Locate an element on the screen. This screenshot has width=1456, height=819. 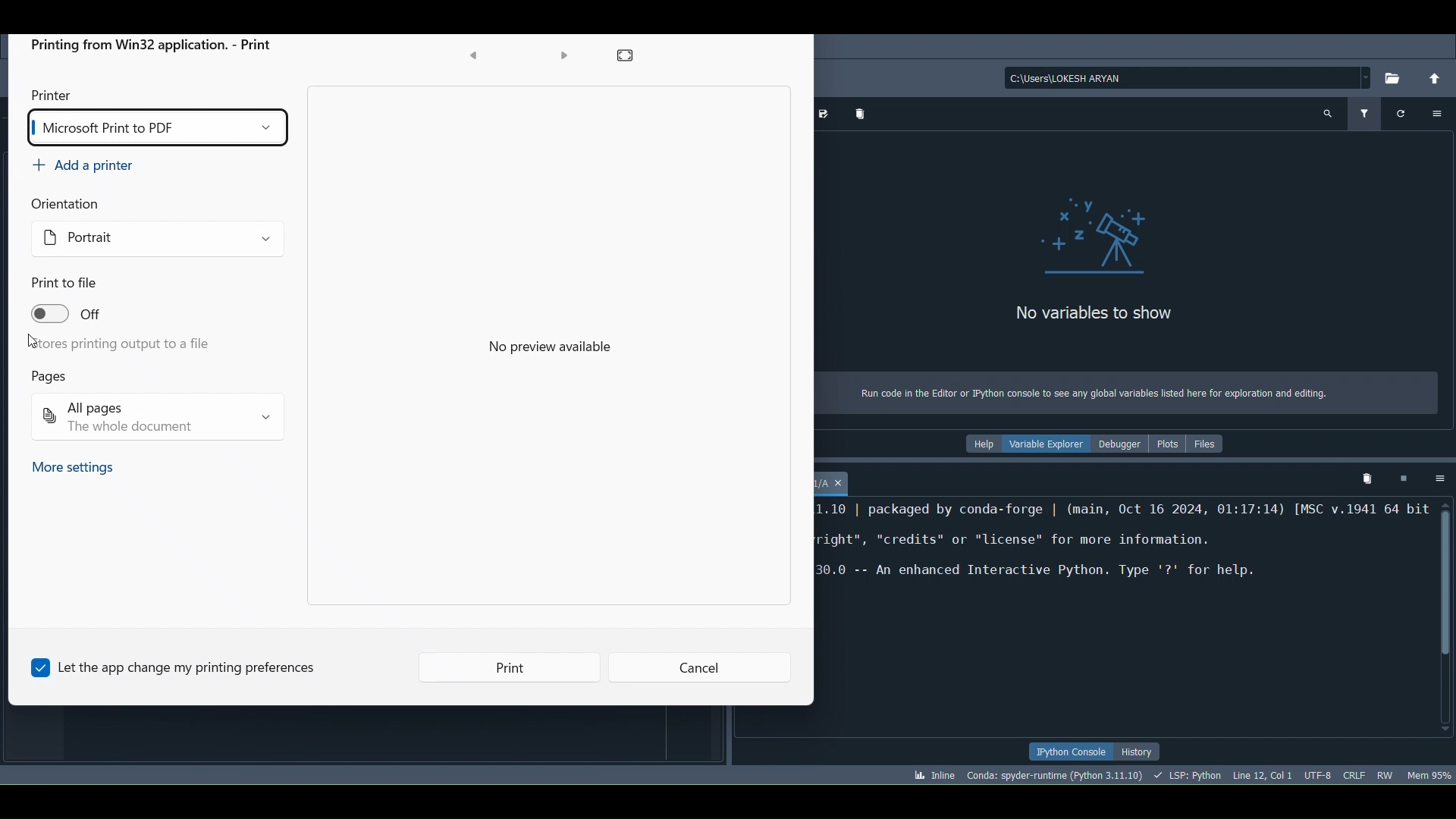
Global memory usage is located at coordinates (1429, 773).